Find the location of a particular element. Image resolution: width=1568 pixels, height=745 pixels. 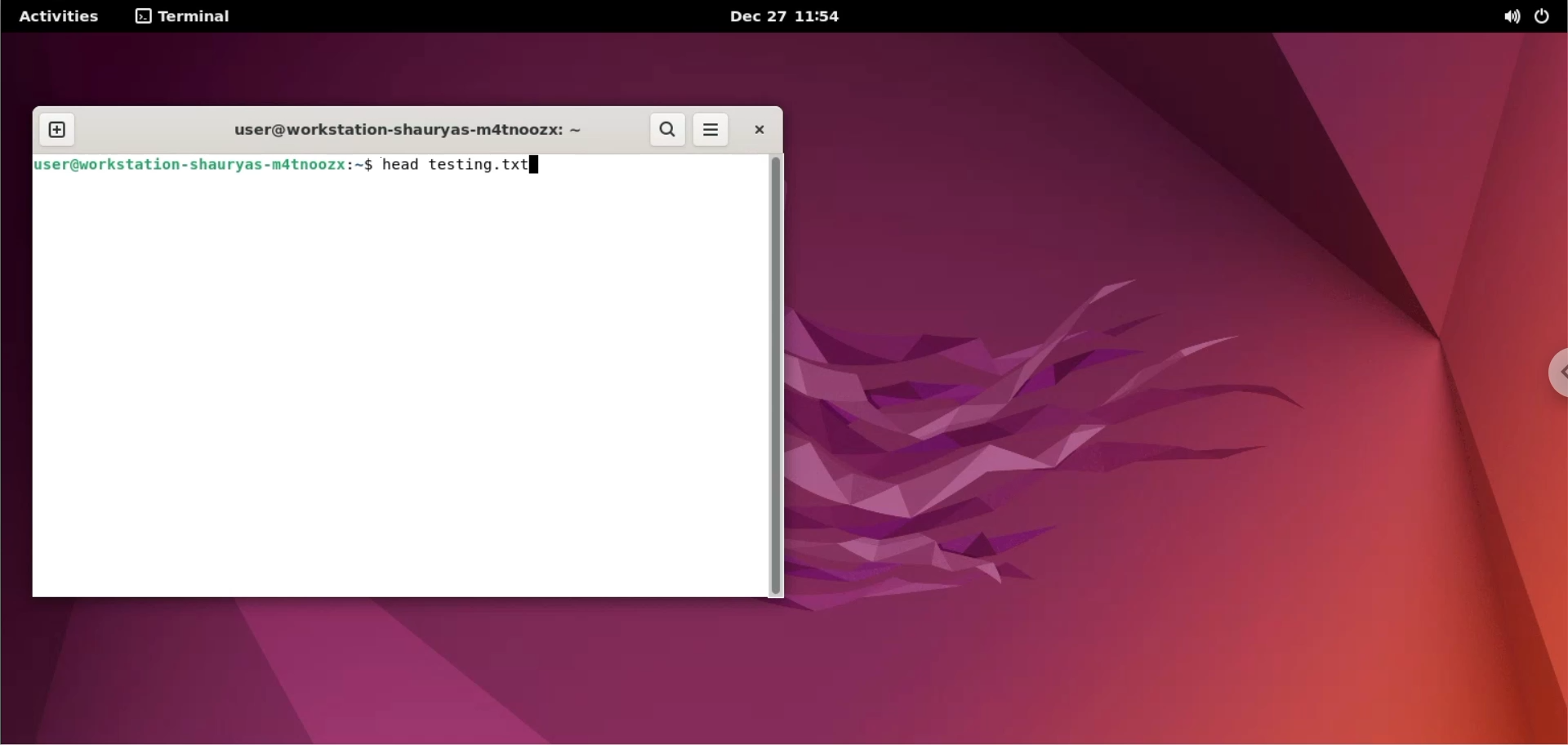

terminal title: user@workstation-shauryas-m4tnoozx:~$  is located at coordinates (400, 129).